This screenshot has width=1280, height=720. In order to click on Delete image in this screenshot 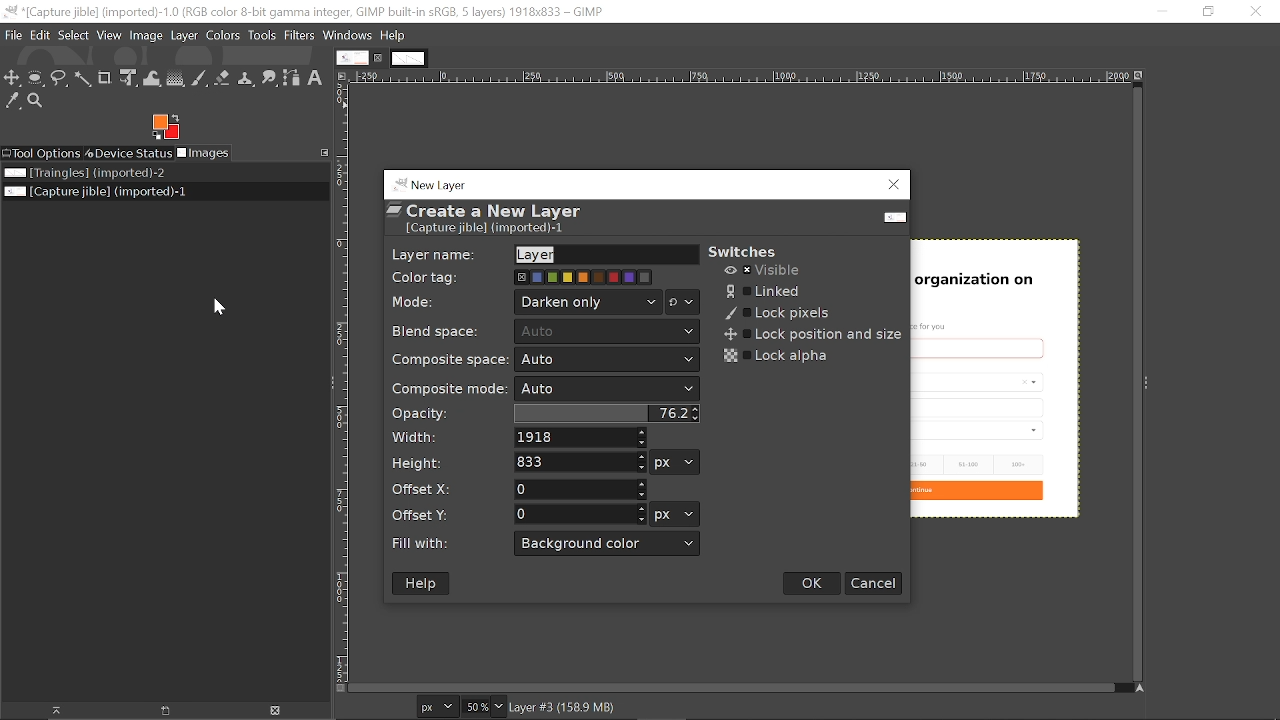, I will do `click(271, 711)`.